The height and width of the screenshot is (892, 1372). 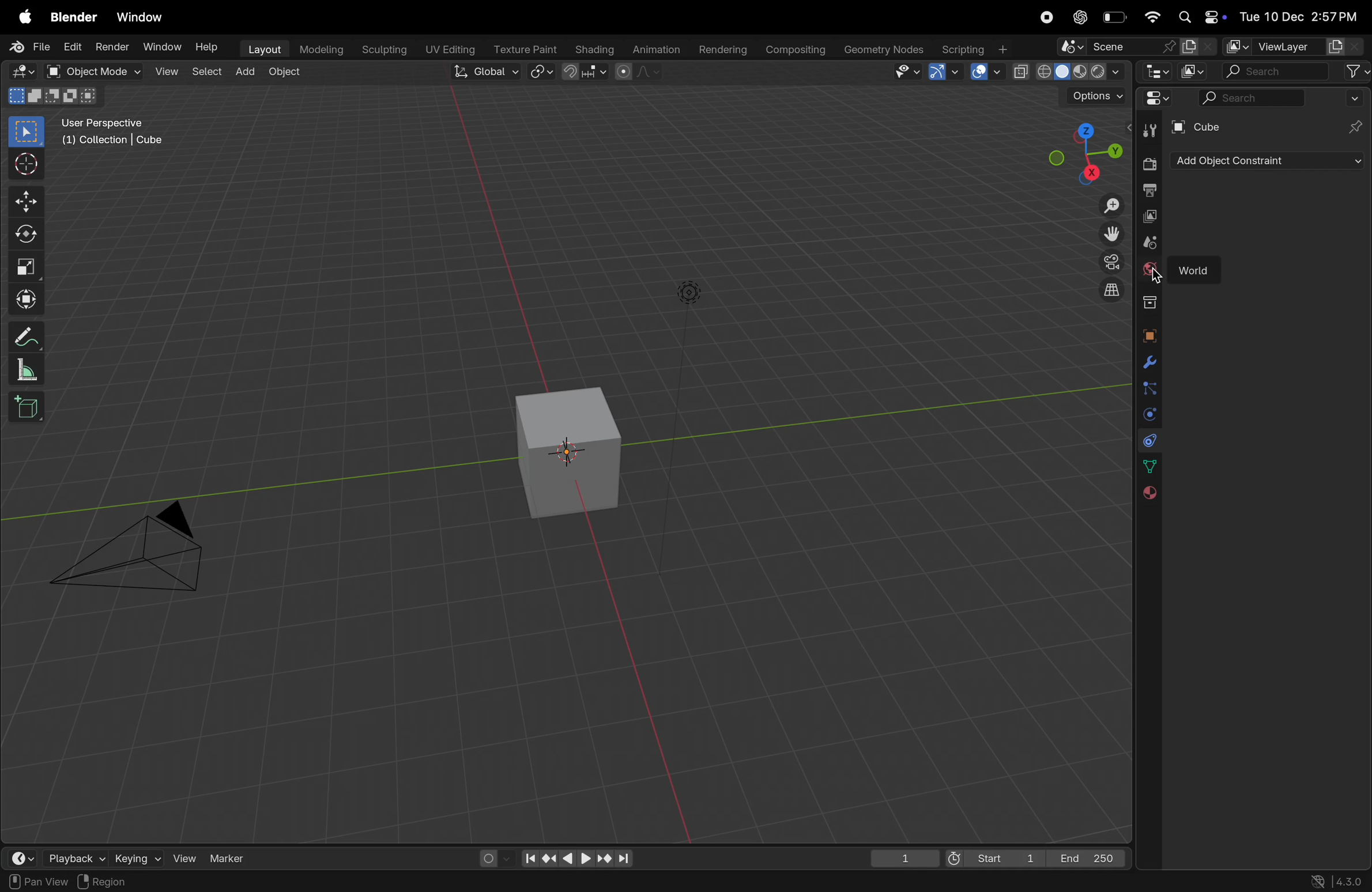 I want to click on move the view, so click(x=1110, y=233).